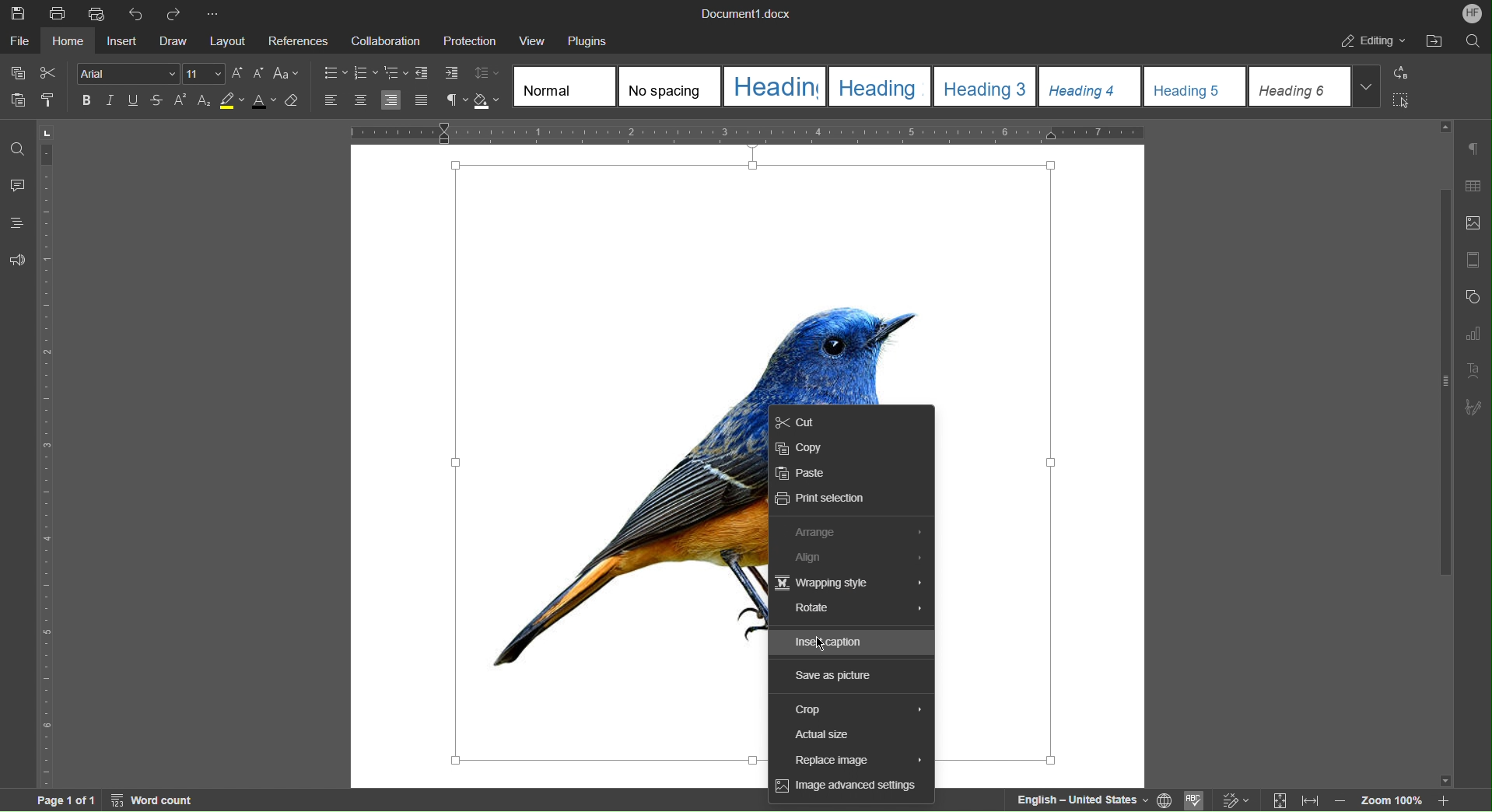 The width and height of the screenshot is (1492, 812). I want to click on Editing, so click(1372, 40).